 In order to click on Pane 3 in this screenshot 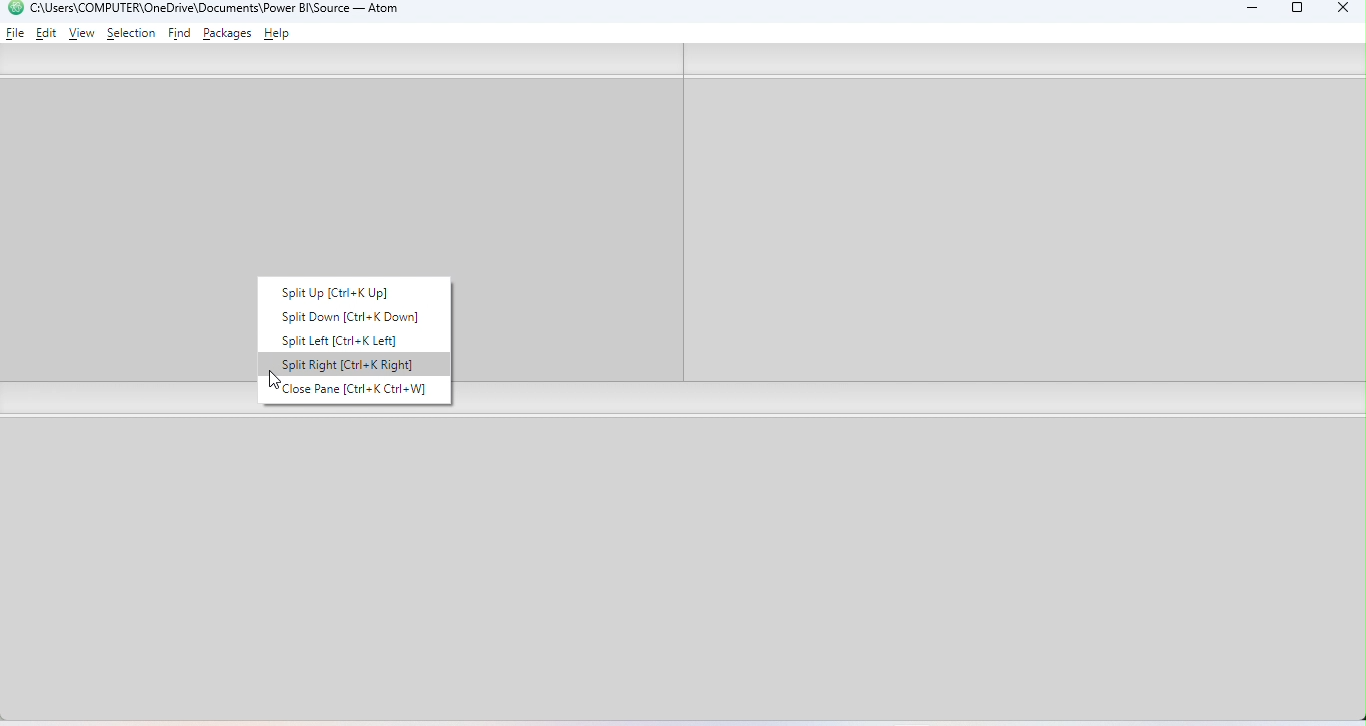, I will do `click(686, 571)`.